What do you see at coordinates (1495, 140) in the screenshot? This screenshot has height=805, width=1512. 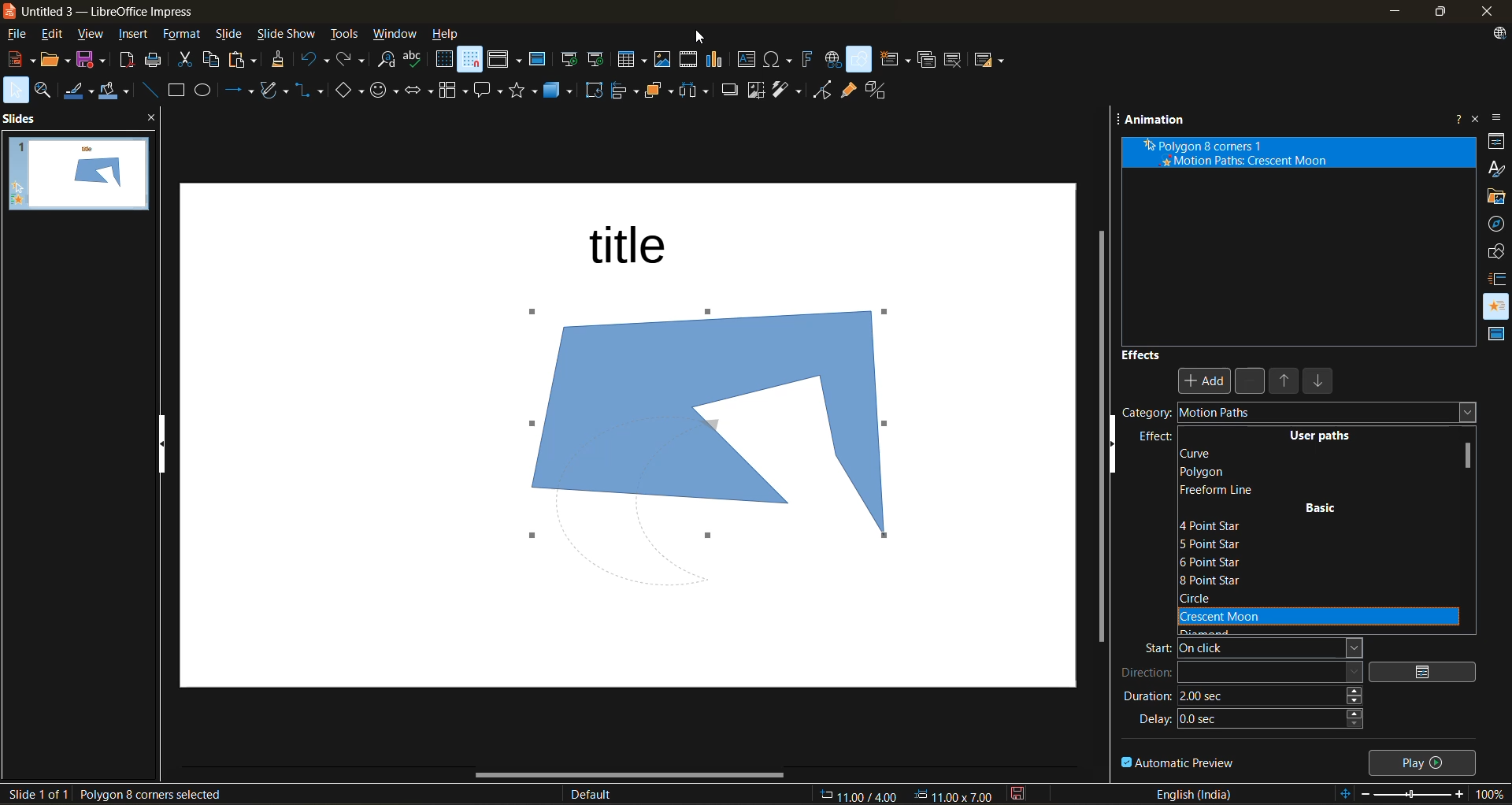 I see `properties` at bounding box center [1495, 140].